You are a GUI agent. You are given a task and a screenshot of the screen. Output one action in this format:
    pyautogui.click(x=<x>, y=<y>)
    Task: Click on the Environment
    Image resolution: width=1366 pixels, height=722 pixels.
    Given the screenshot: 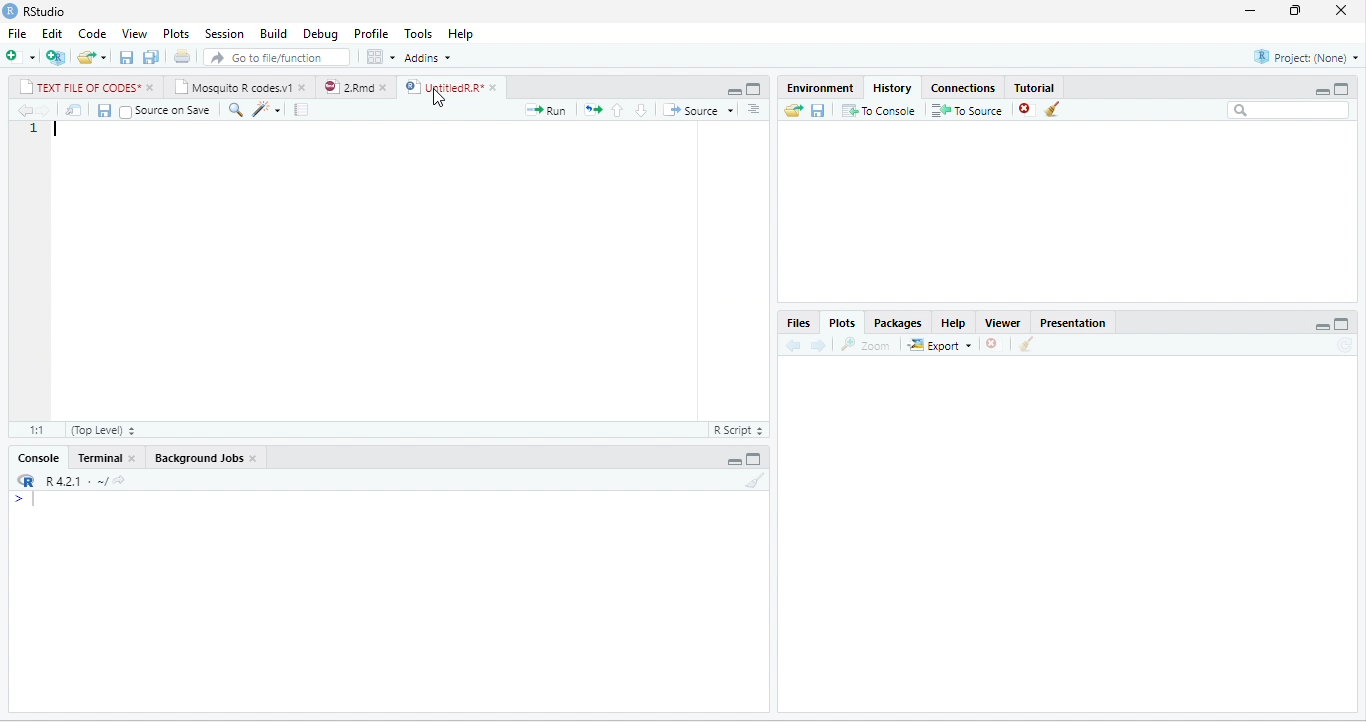 What is the action you would take?
    pyautogui.click(x=819, y=88)
    